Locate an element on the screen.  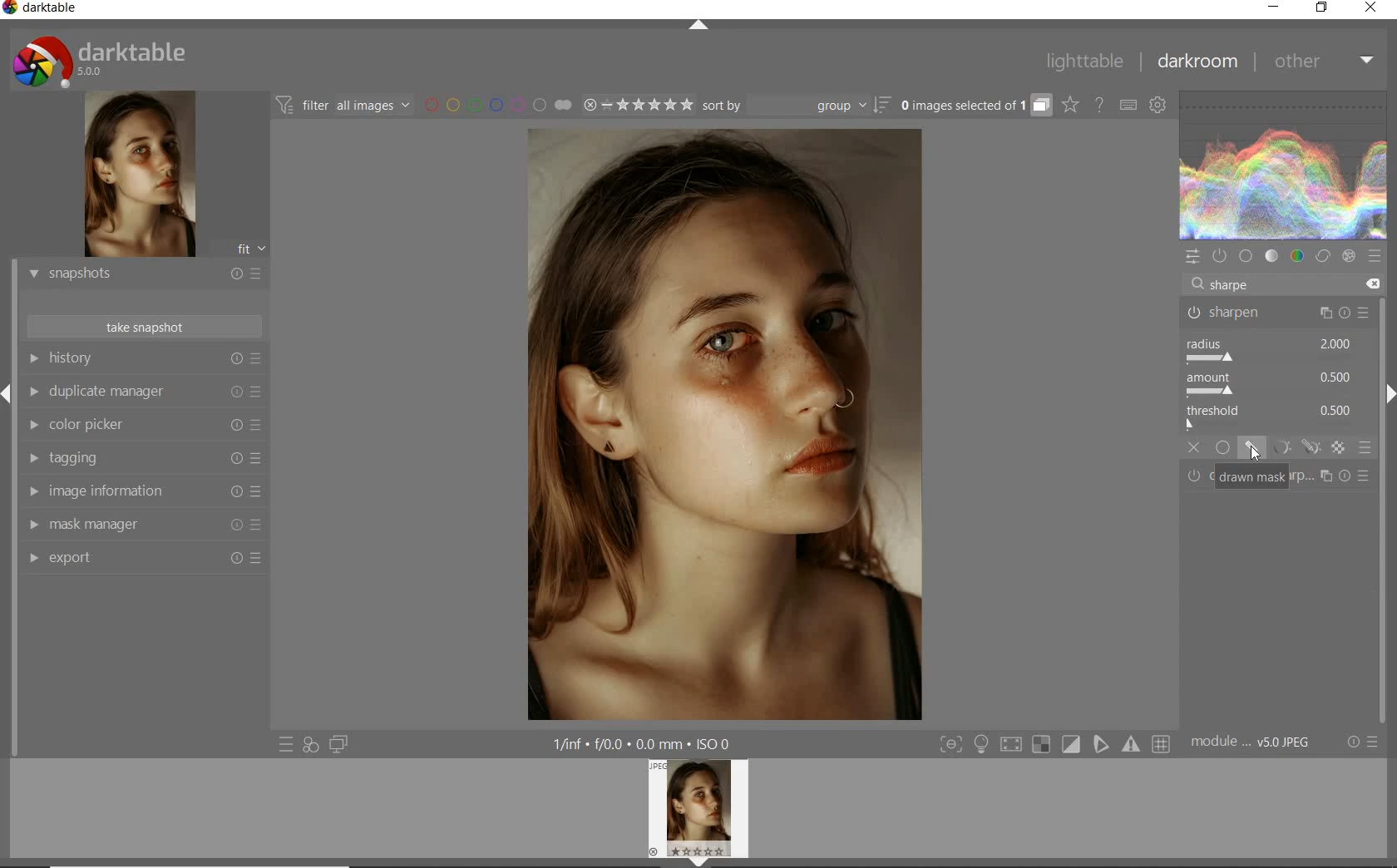
darkroom is located at coordinates (1198, 64).